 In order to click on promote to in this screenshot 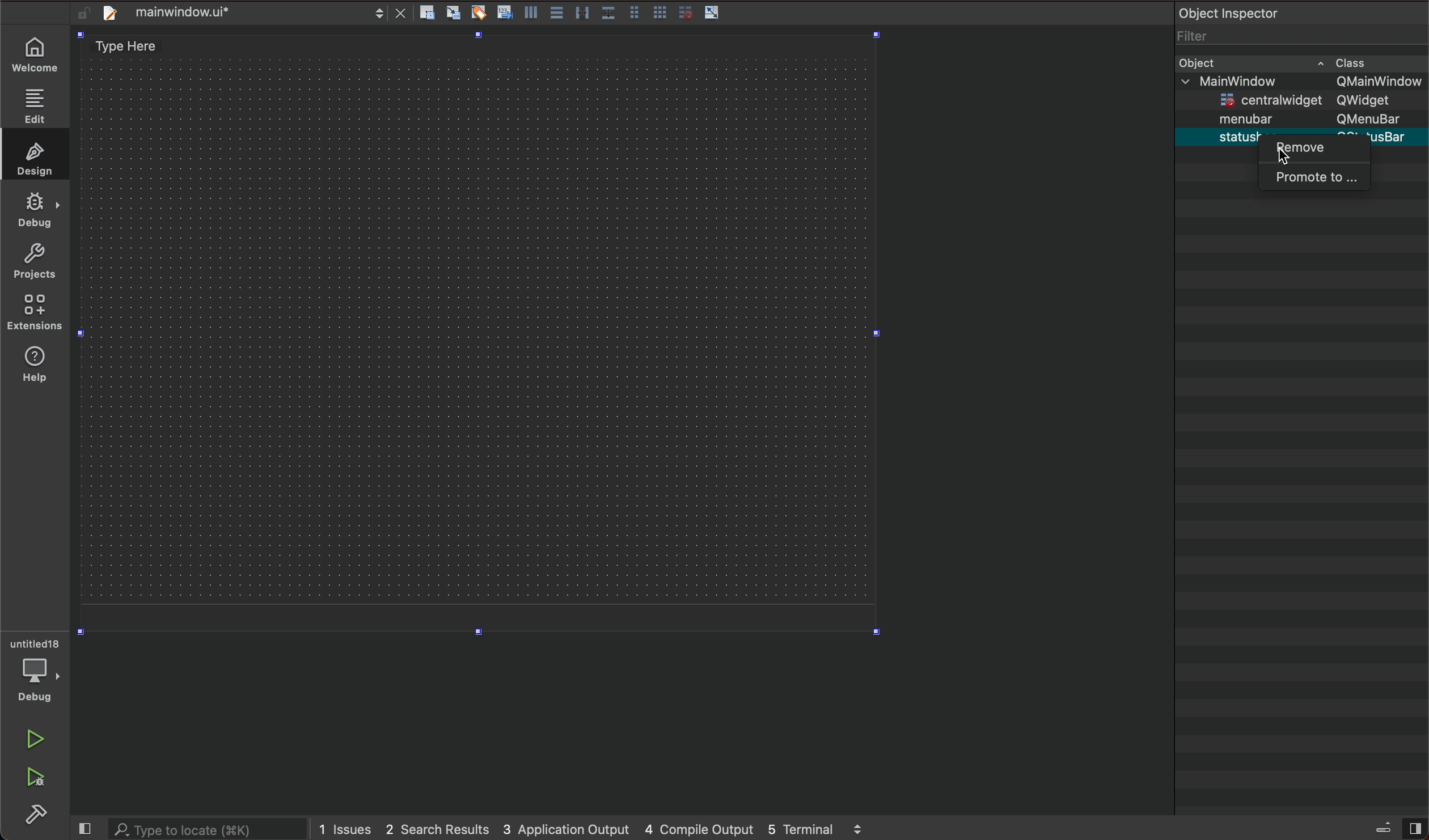, I will do `click(1319, 175)`.